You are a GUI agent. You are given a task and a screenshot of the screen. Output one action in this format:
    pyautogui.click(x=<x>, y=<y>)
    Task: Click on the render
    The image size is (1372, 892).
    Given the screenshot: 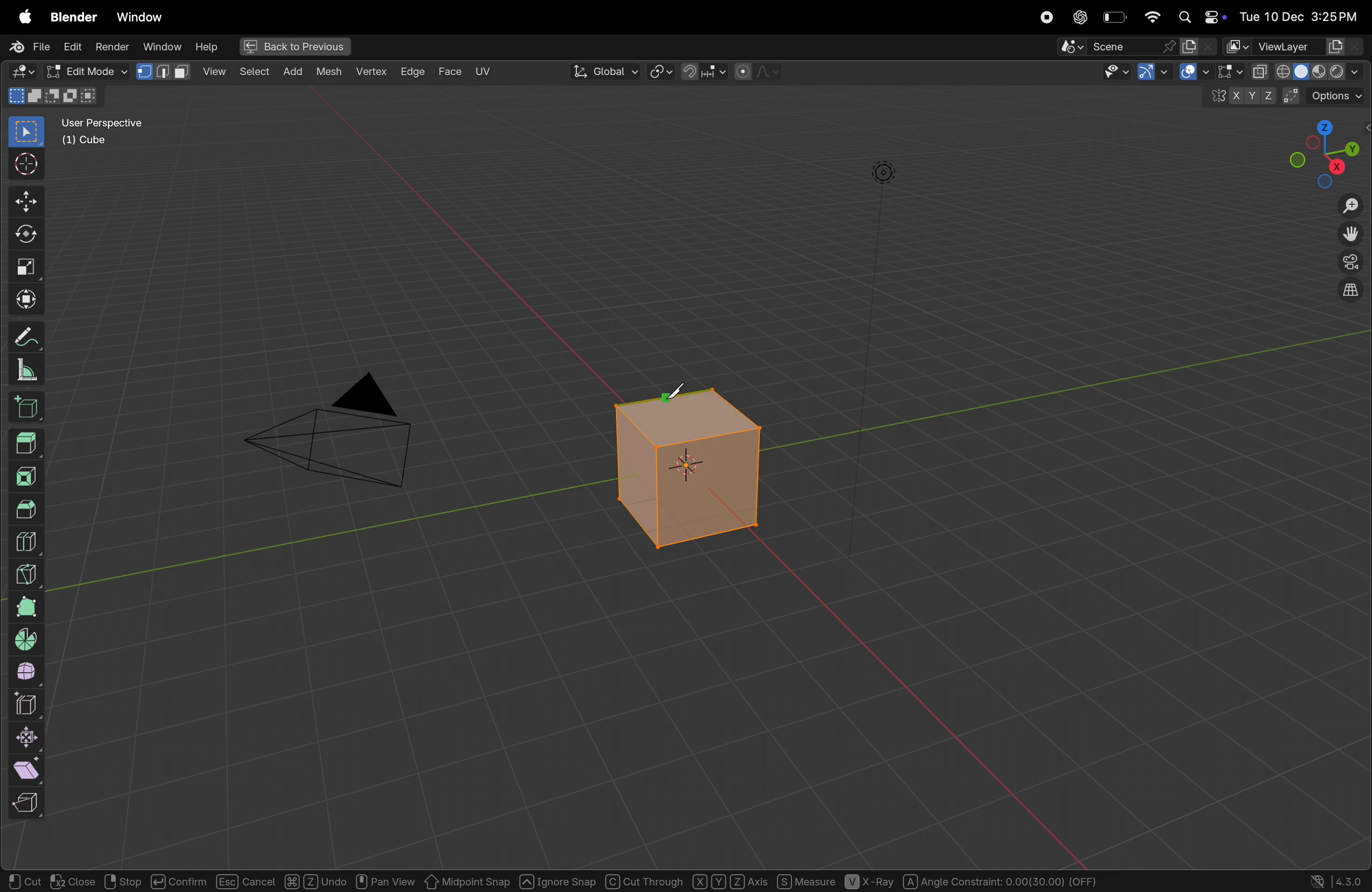 What is the action you would take?
    pyautogui.click(x=114, y=46)
    